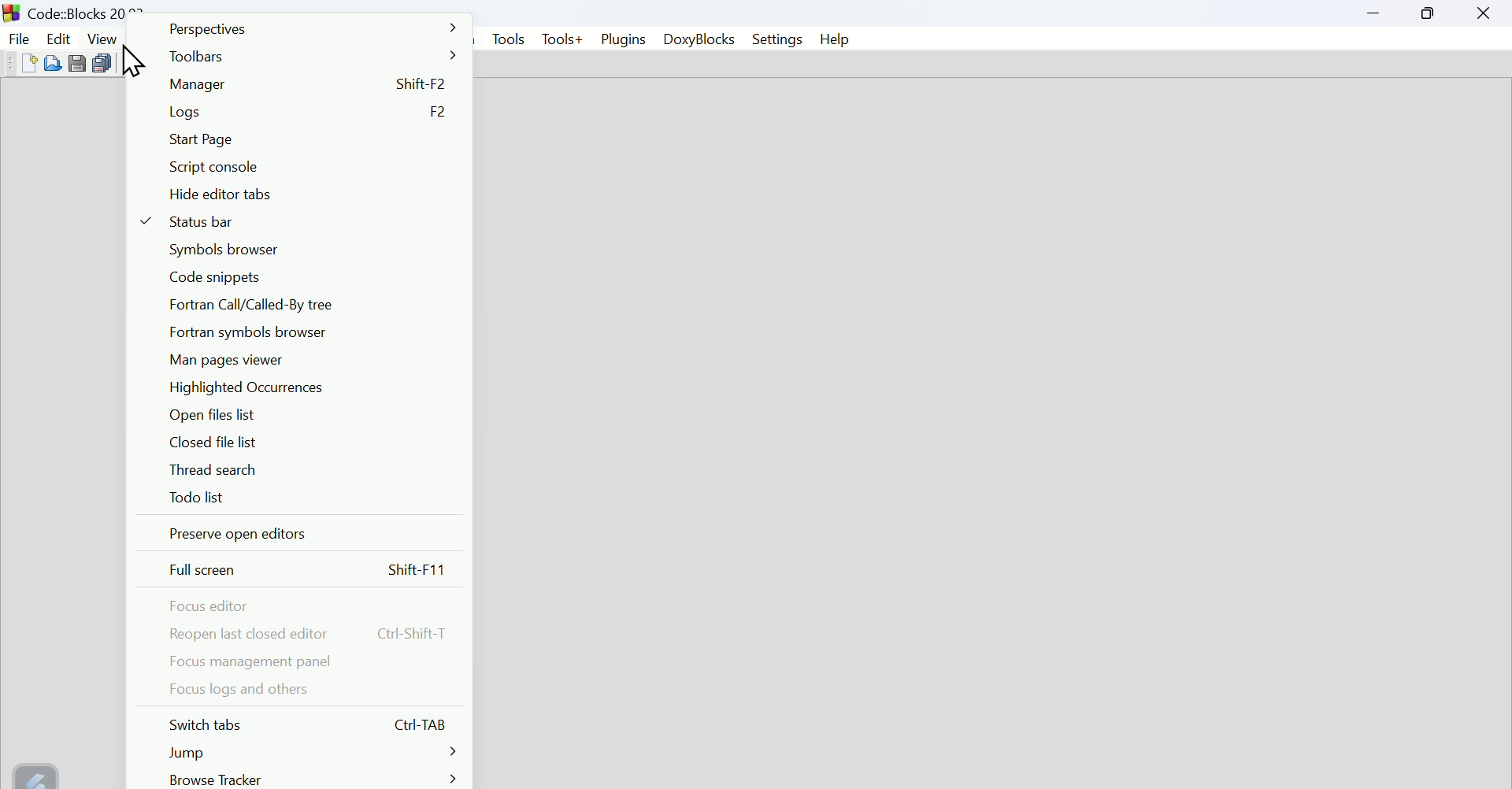  I want to click on Logs, so click(317, 112).